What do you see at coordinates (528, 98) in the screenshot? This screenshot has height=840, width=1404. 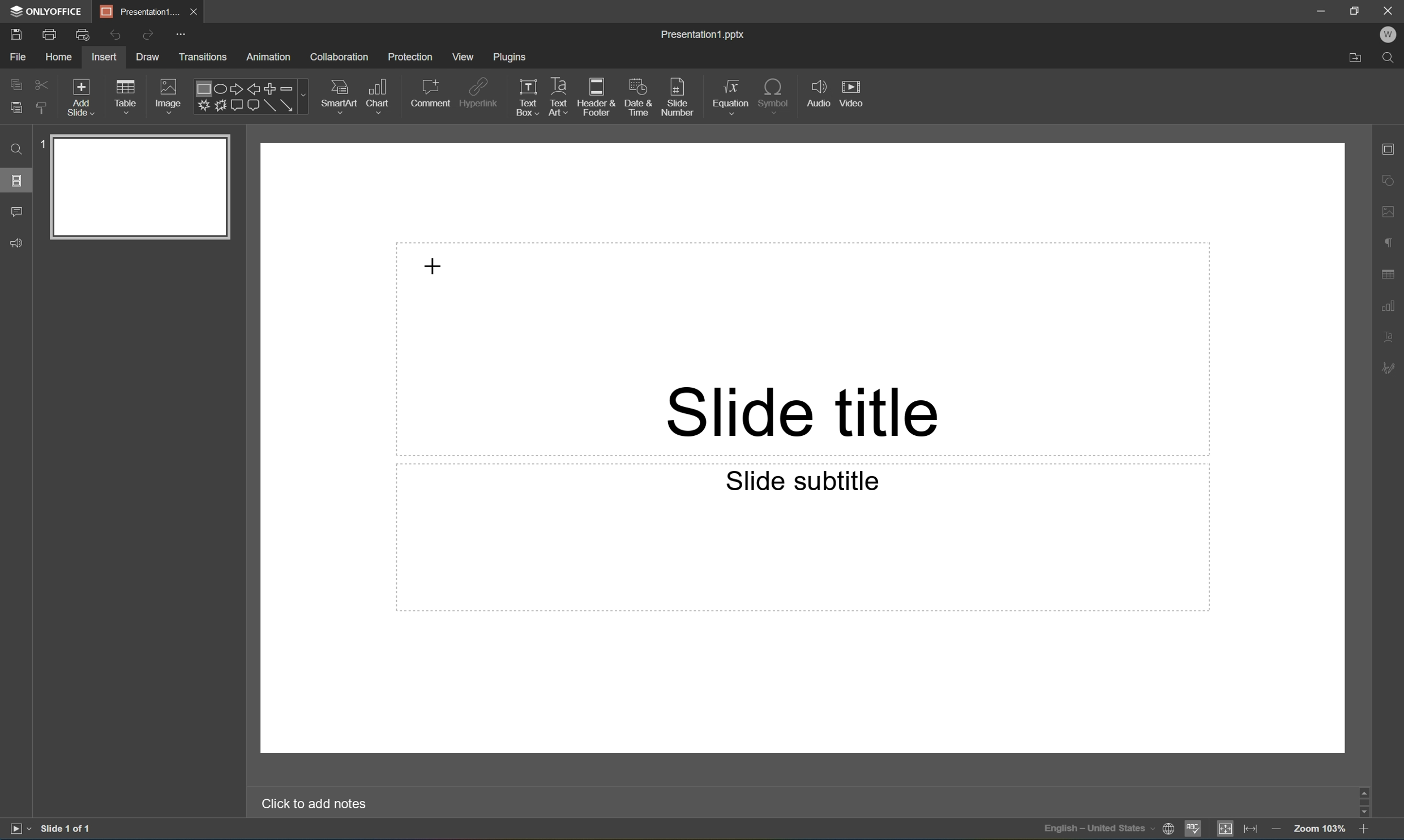 I see `Text Box` at bounding box center [528, 98].